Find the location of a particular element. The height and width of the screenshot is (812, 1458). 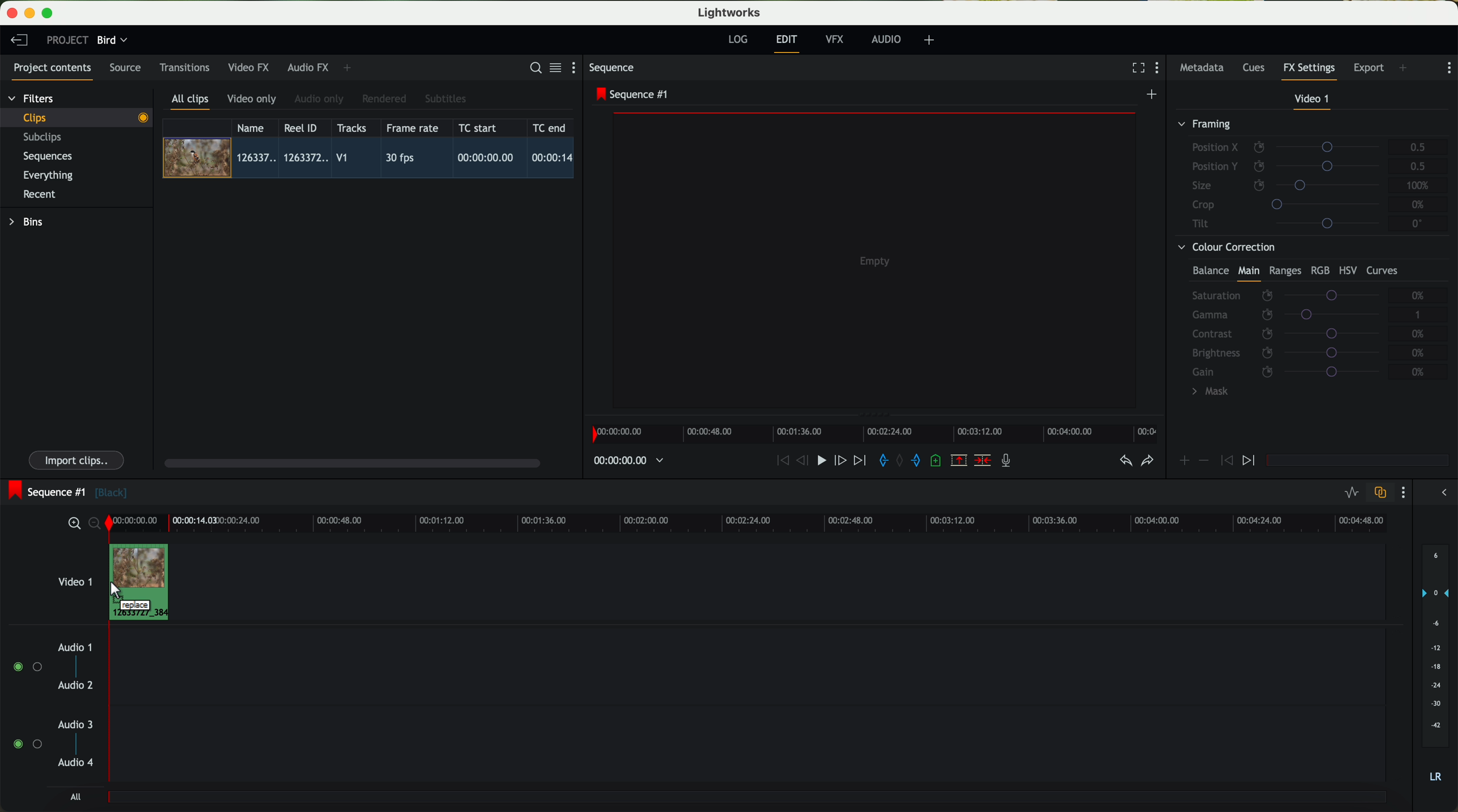

drag video to video track 1 is located at coordinates (140, 582).